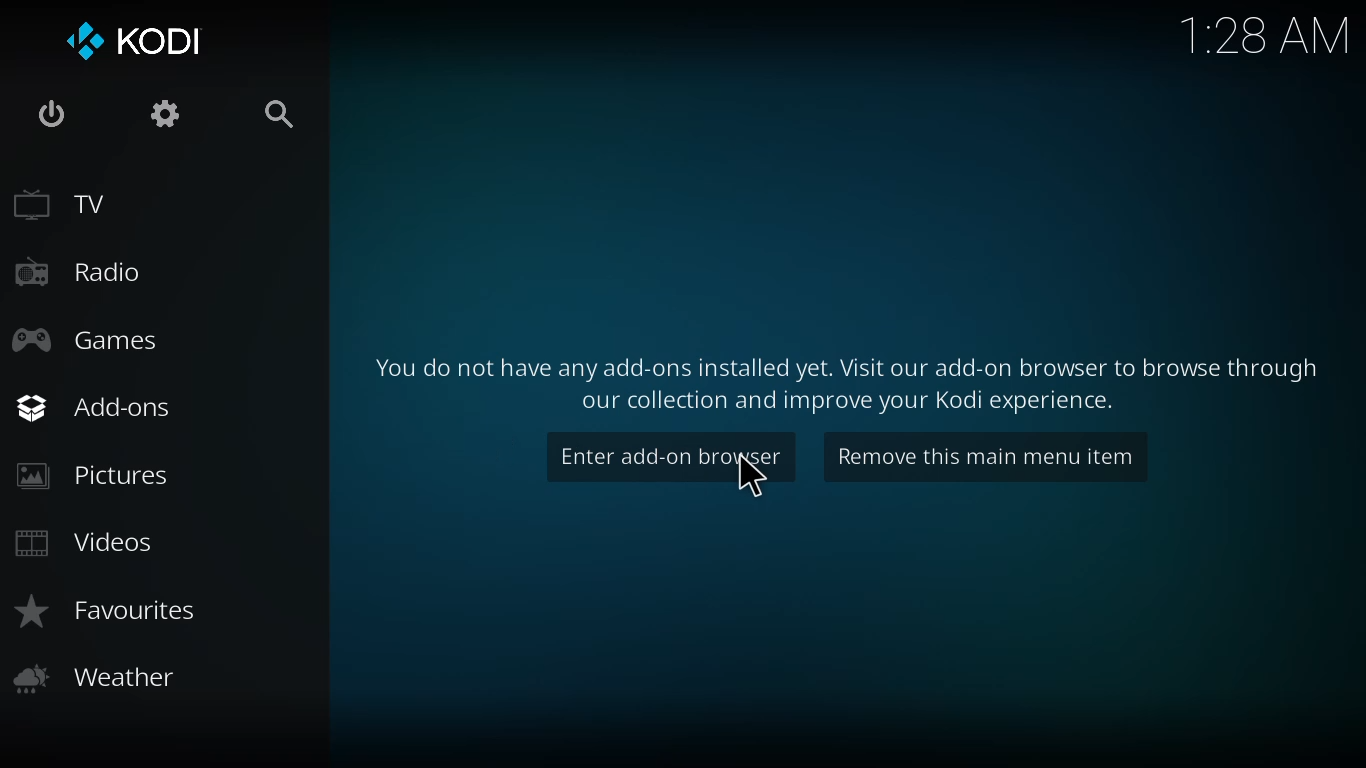 Image resolution: width=1366 pixels, height=768 pixels. I want to click on search, so click(285, 114).